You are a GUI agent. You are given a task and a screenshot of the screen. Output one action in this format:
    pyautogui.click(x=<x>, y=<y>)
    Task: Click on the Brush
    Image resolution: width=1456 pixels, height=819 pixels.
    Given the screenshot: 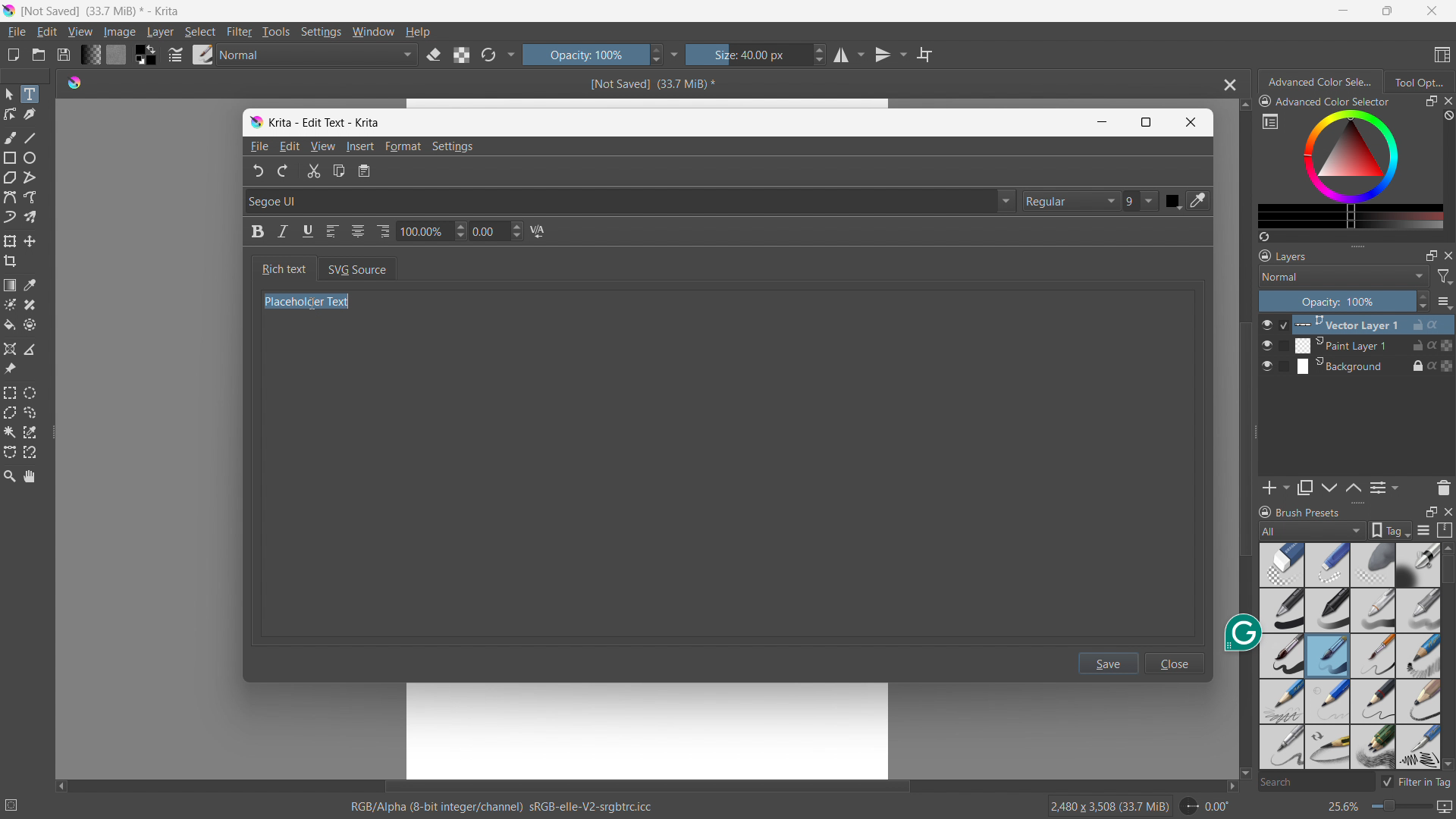 What is the action you would take?
    pyautogui.click(x=1282, y=654)
    